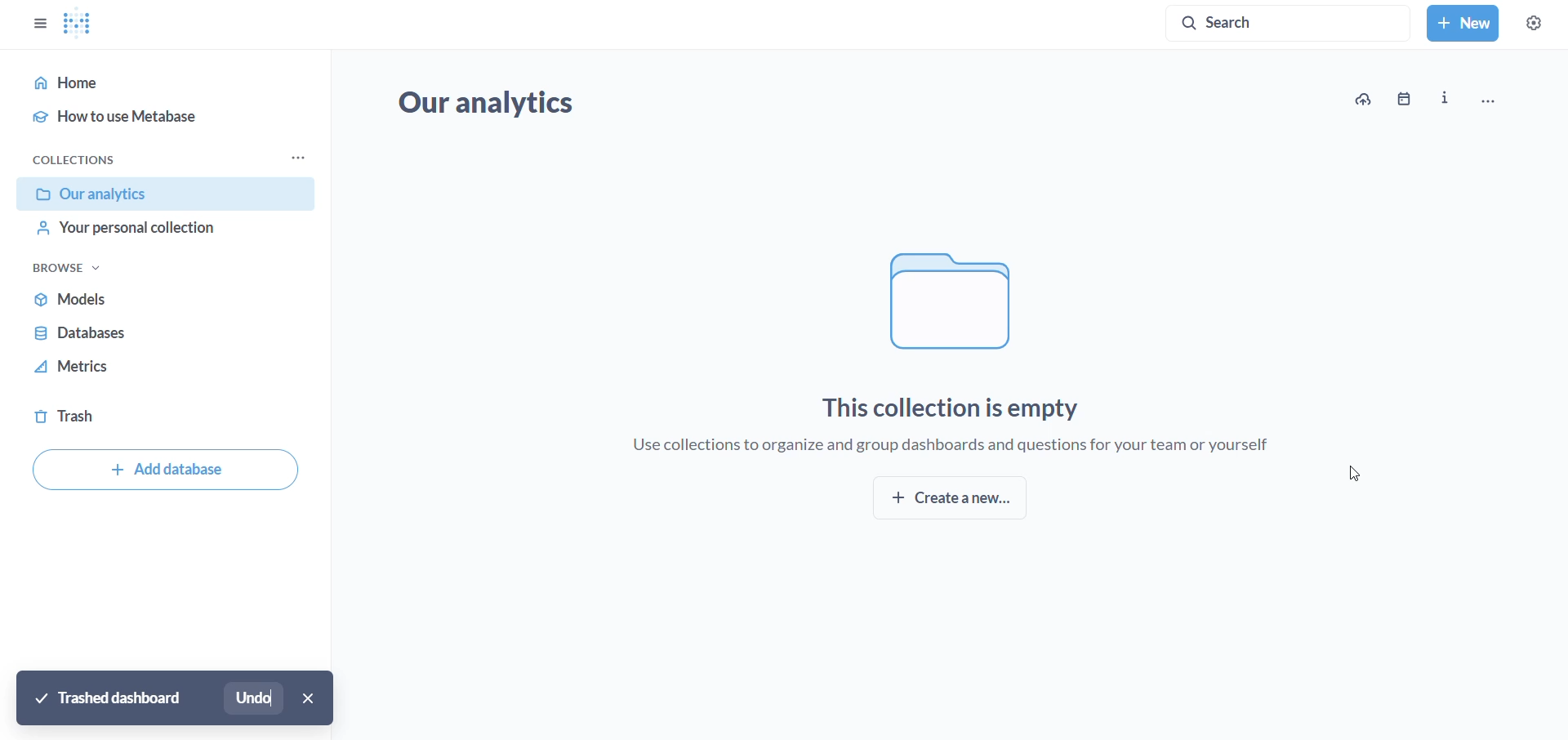 This screenshot has height=740, width=1568. What do you see at coordinates (296, 158) in the screenshot?
I see `collection options` at bounding box center [296, 158].